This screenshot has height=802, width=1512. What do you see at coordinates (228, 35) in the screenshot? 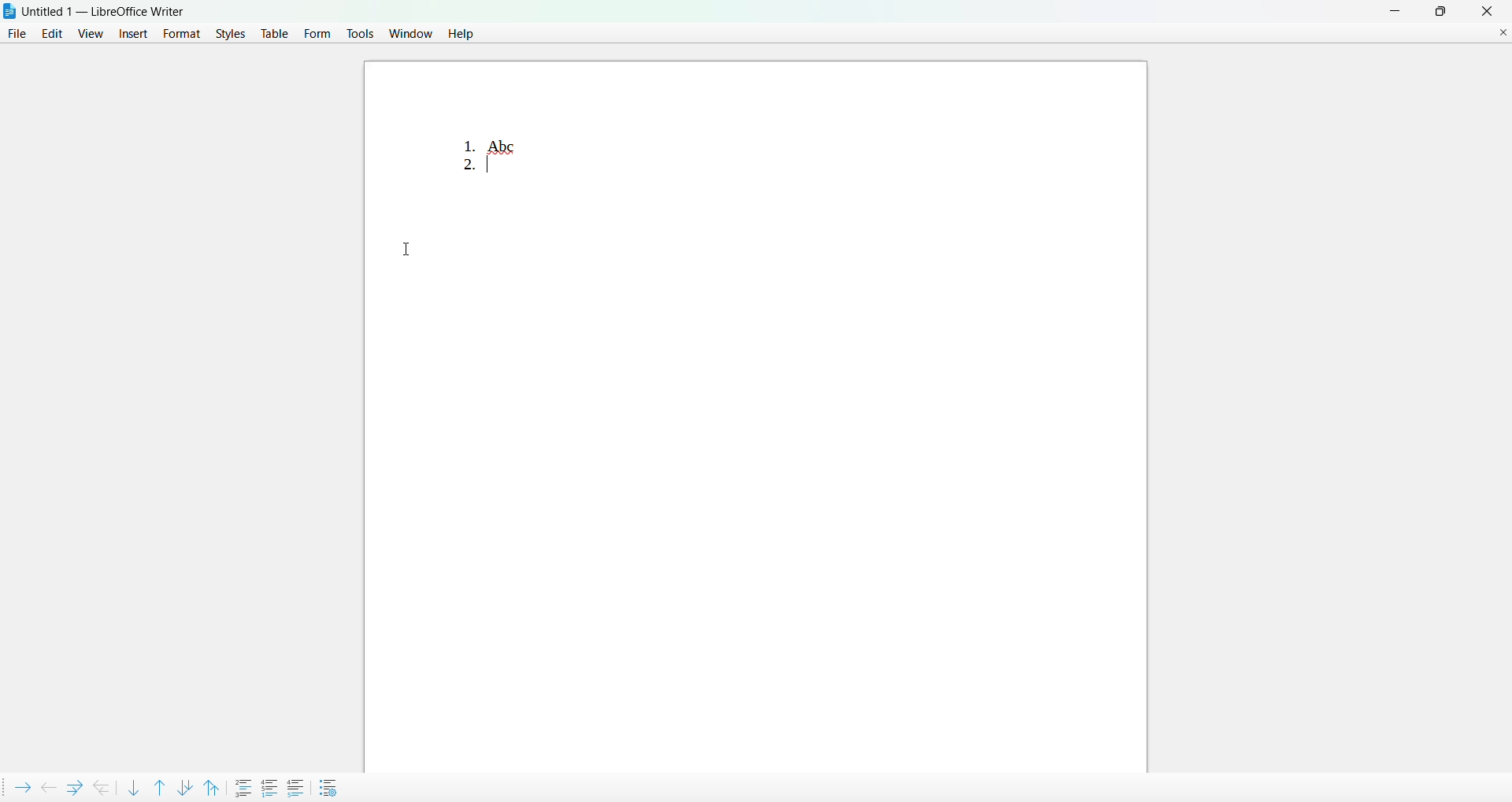
I see `styles` at bounding box center [228, 35].